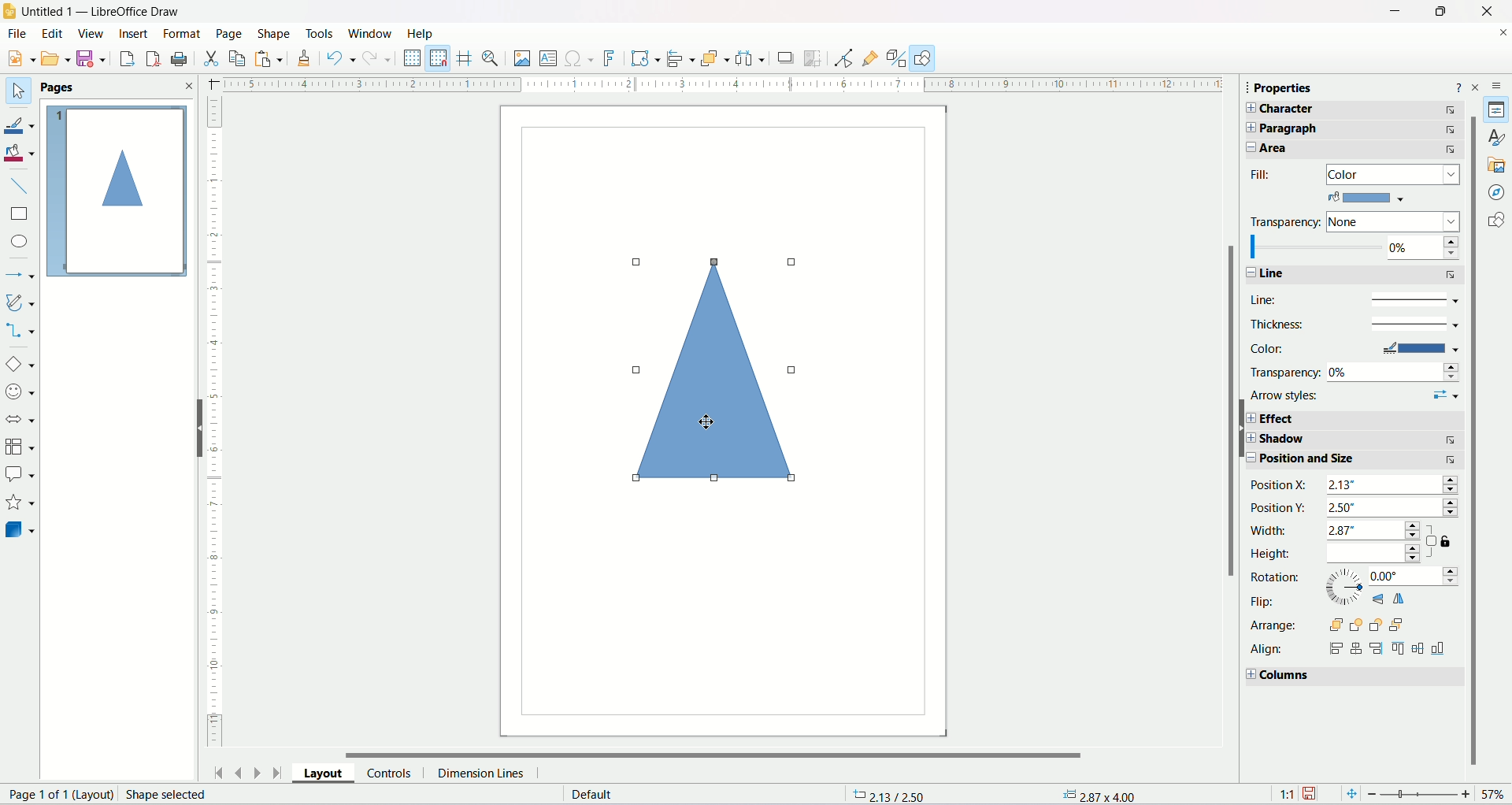  What do you see at coordinates (56, 794) in the screenshot?
I see `Text` at bounding box center [56, 794].